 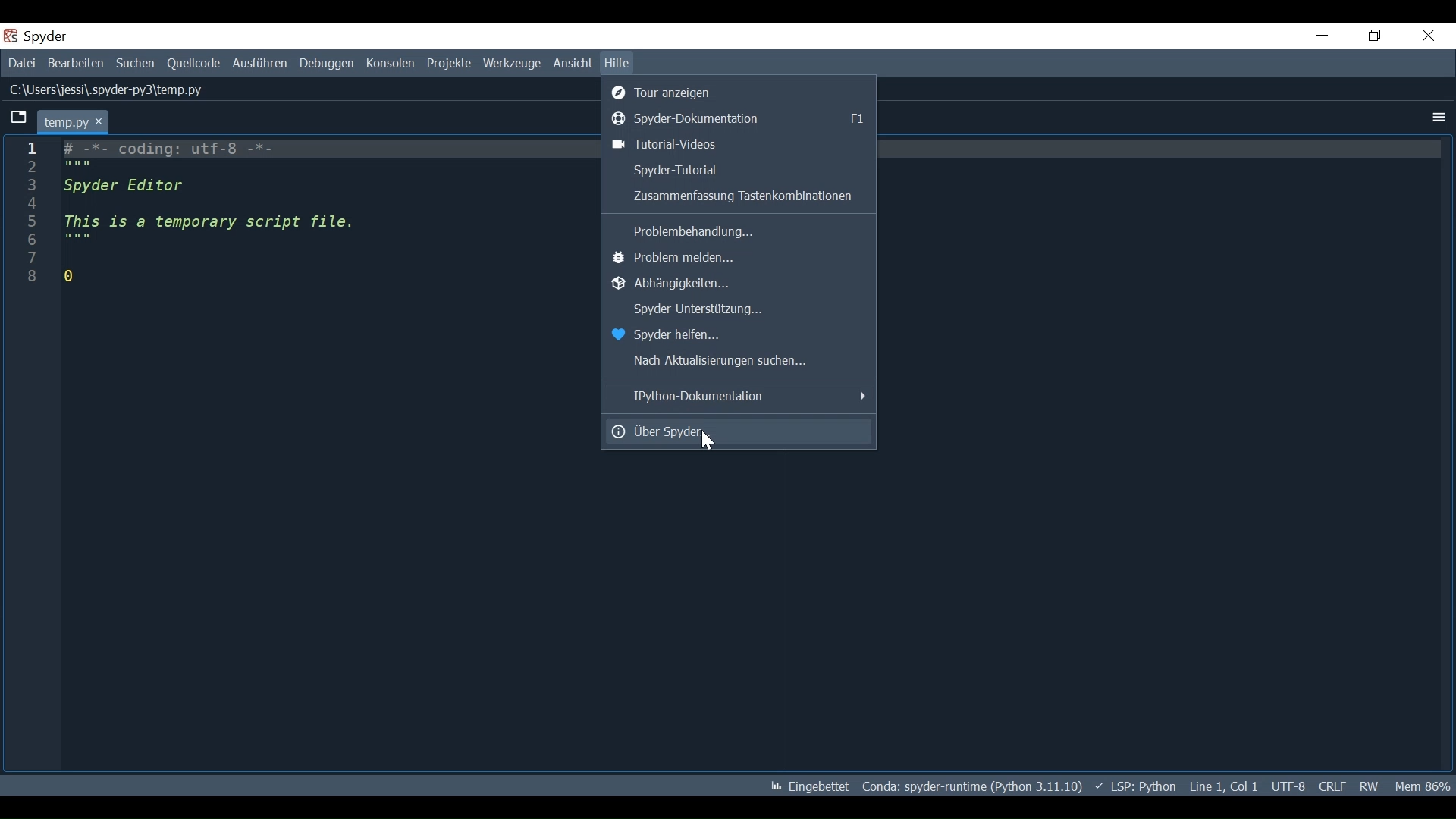 I want to click on Tools, so click(x=511, y=64).